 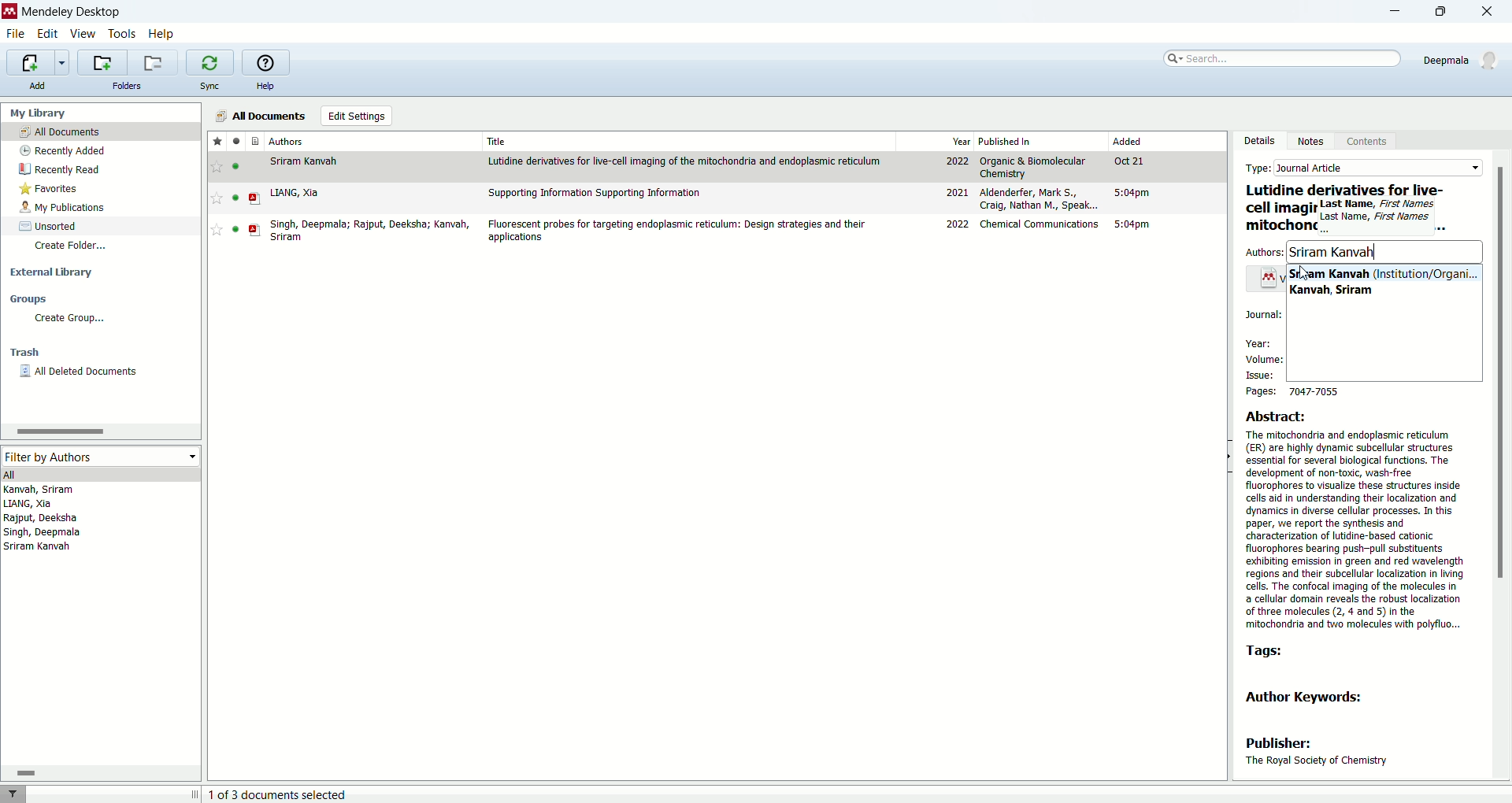 I want to click on maximize, so click(x=1447, y=12).